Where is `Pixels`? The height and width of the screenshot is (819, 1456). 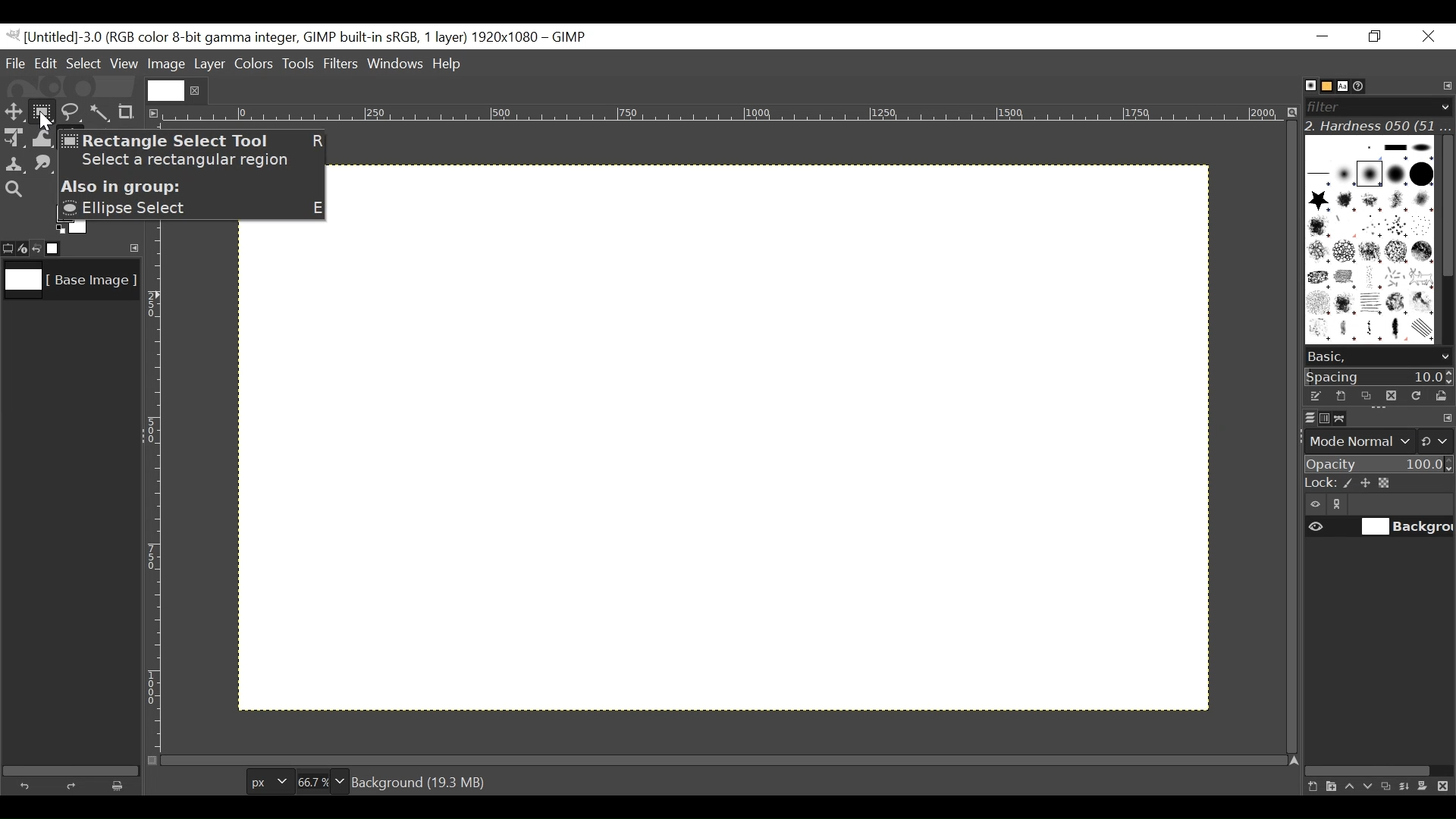 Pixels is located at coordinates (266, 779).